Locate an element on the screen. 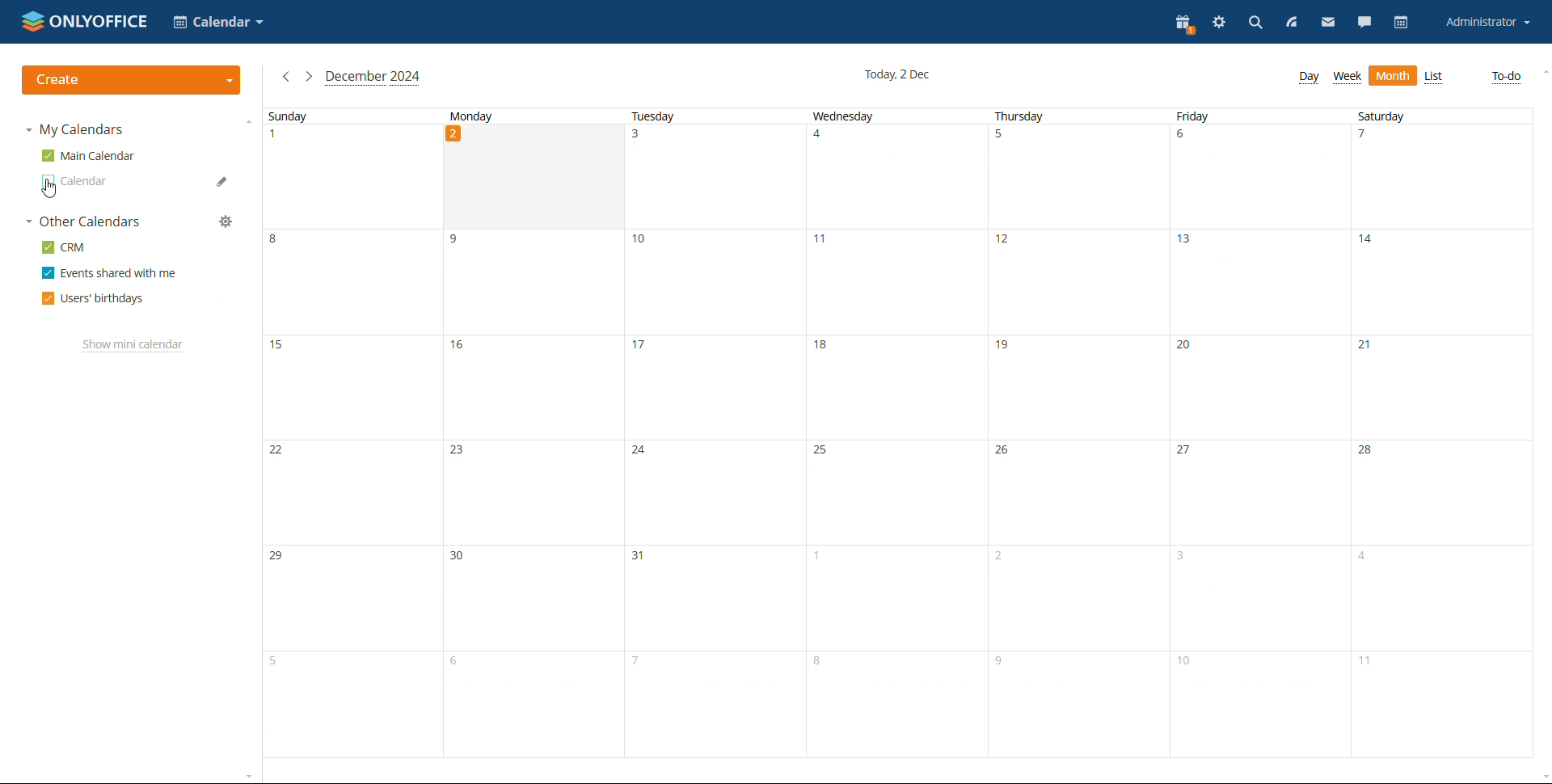  crm is located at coordinates (64, 247).